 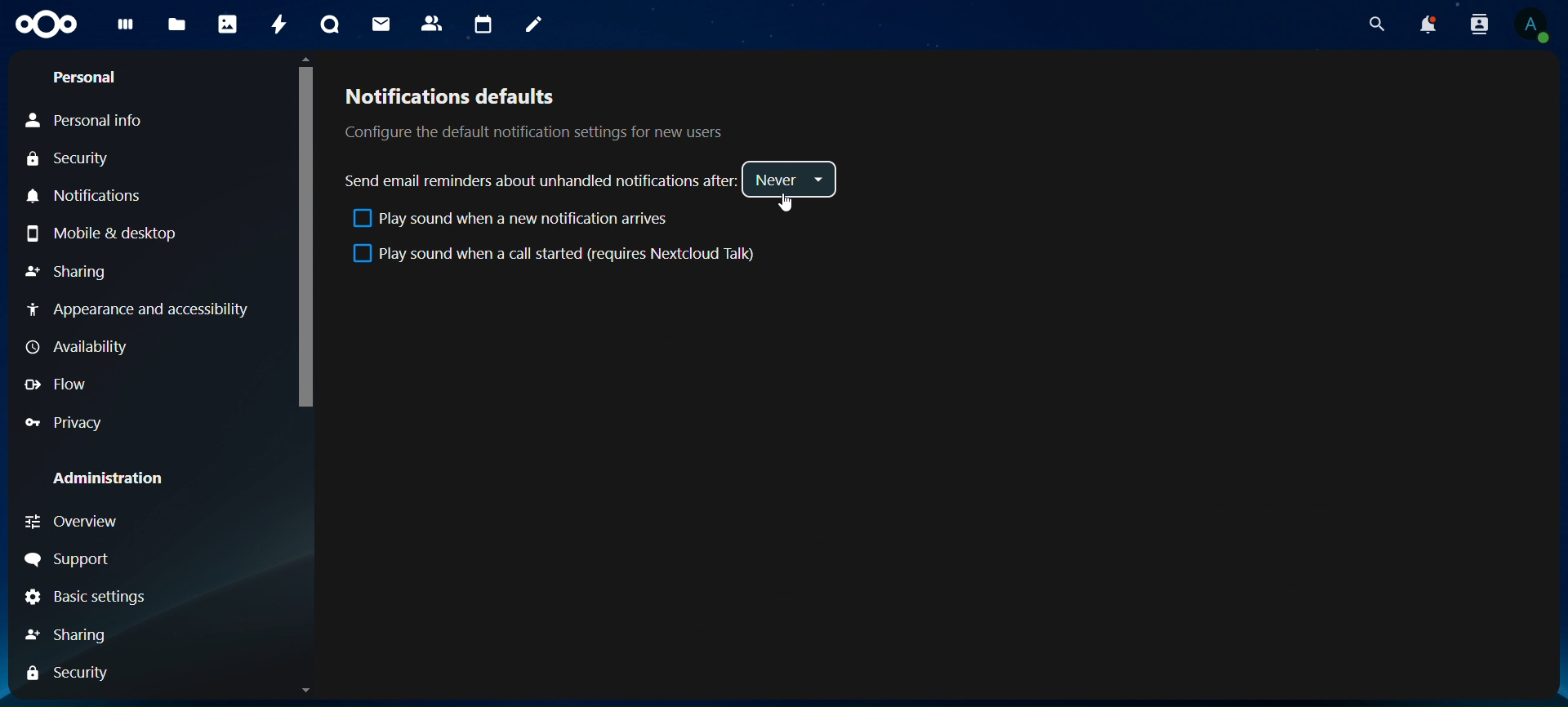 What do you see at coordinates (67, 159) in the screenshot?
I see `Security` at bounding box center [67, 159].